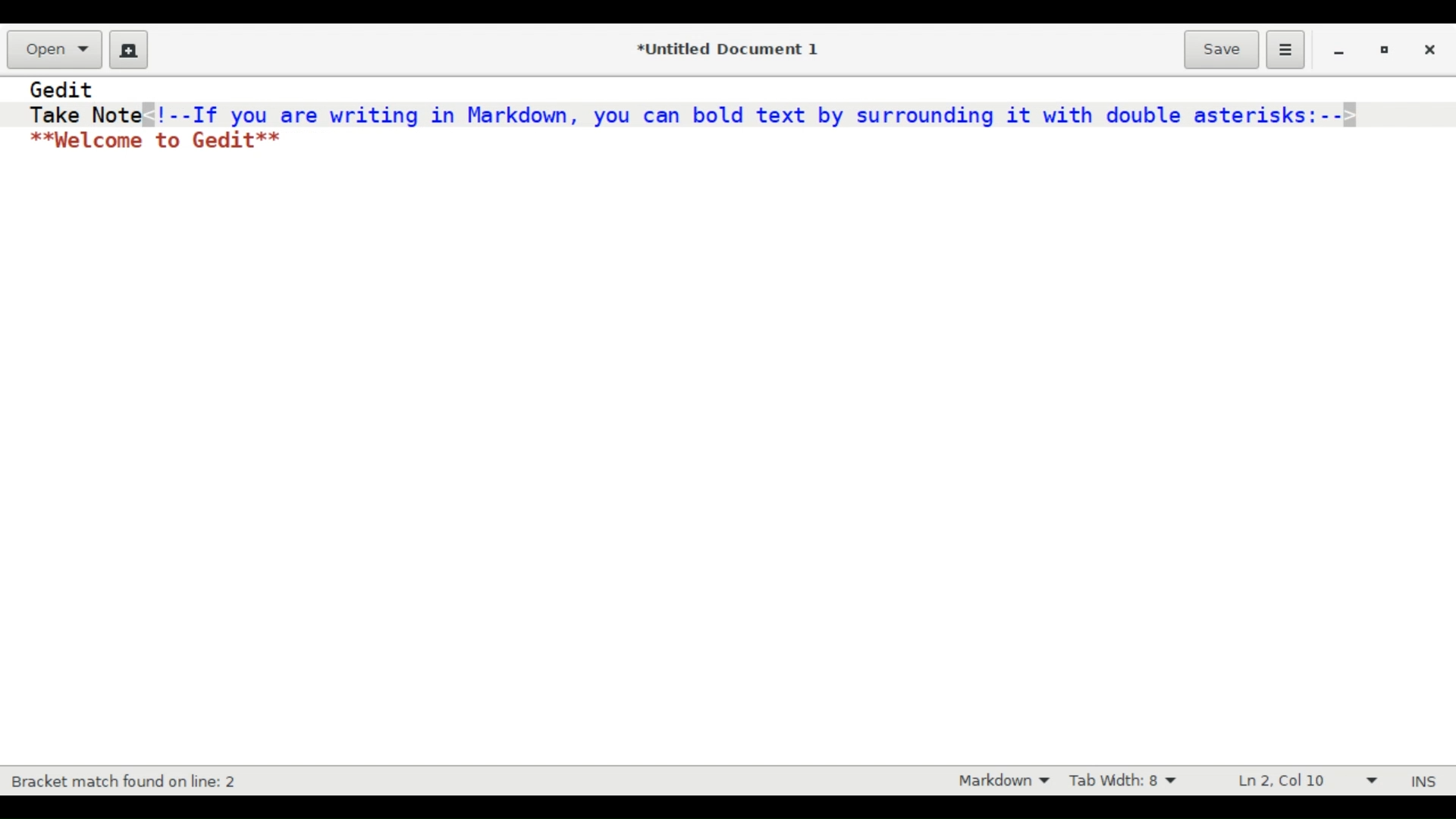 The height and width of the screenshot is (819, 1456). What do you see at coordinates (1221, 48) in the screenshot?
I see `Save` at bounding box center [1221, 48].